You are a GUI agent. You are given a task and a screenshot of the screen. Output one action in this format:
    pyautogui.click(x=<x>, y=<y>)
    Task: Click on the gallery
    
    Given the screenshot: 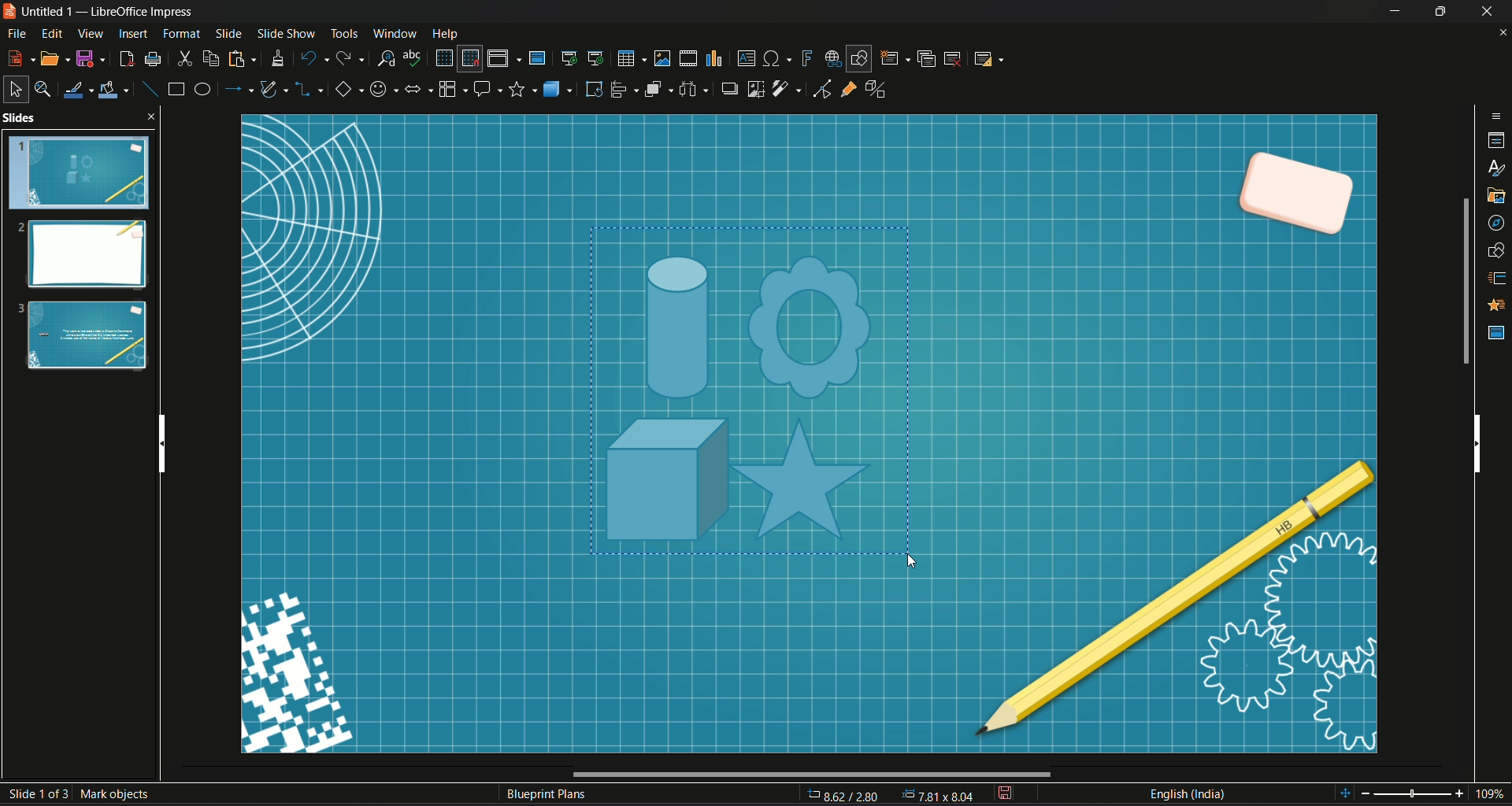 What is the action you would take?
    pyautogui.click(x=1497, y=196)
    